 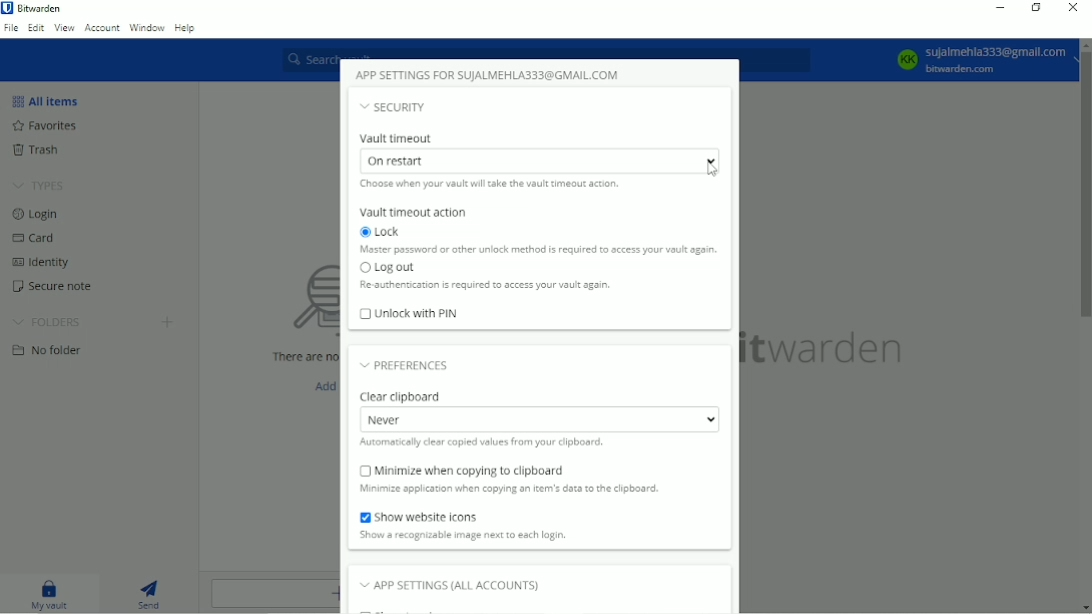 I want to click on Vault timeout action, so click(x=414, y=211).